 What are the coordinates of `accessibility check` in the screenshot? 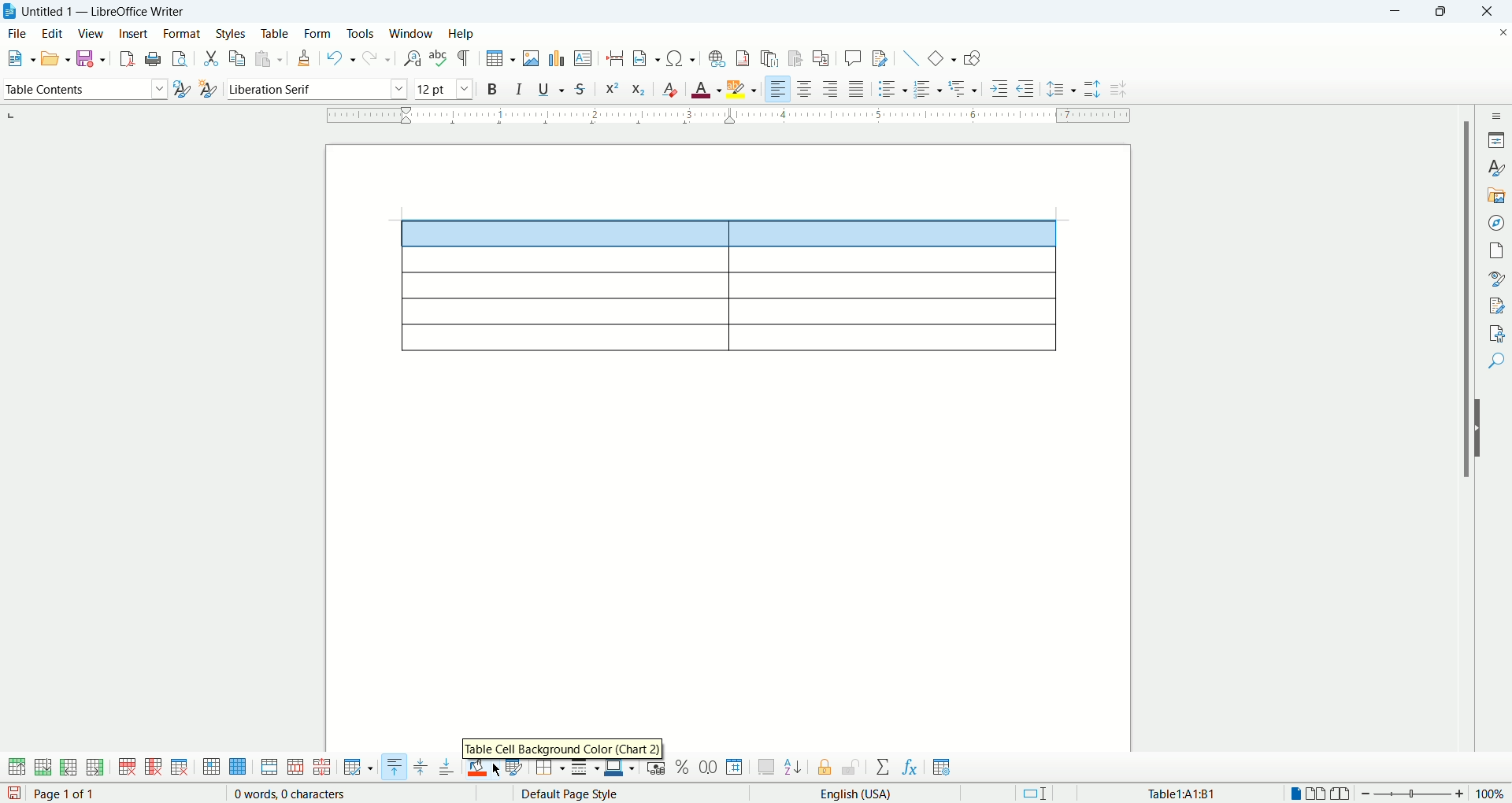 It's located at (1497, 333).